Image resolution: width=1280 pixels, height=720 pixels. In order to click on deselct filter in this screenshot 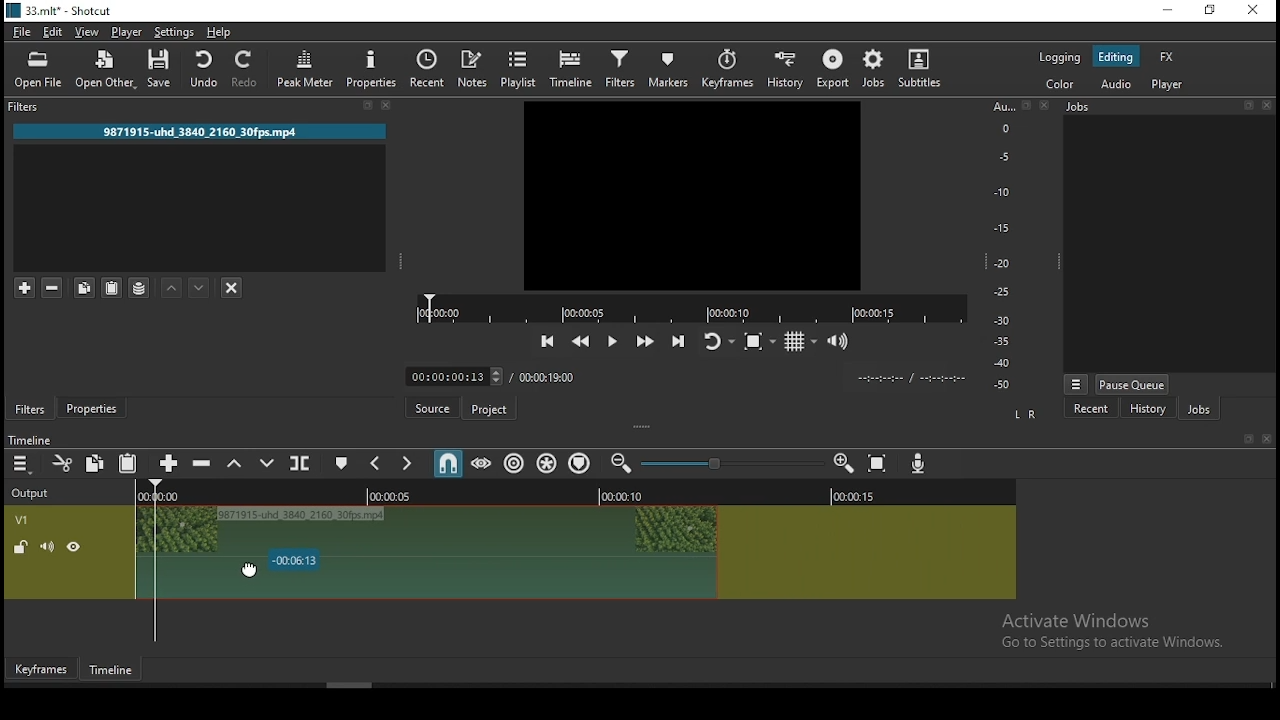, I will do `click(233, 289)`.